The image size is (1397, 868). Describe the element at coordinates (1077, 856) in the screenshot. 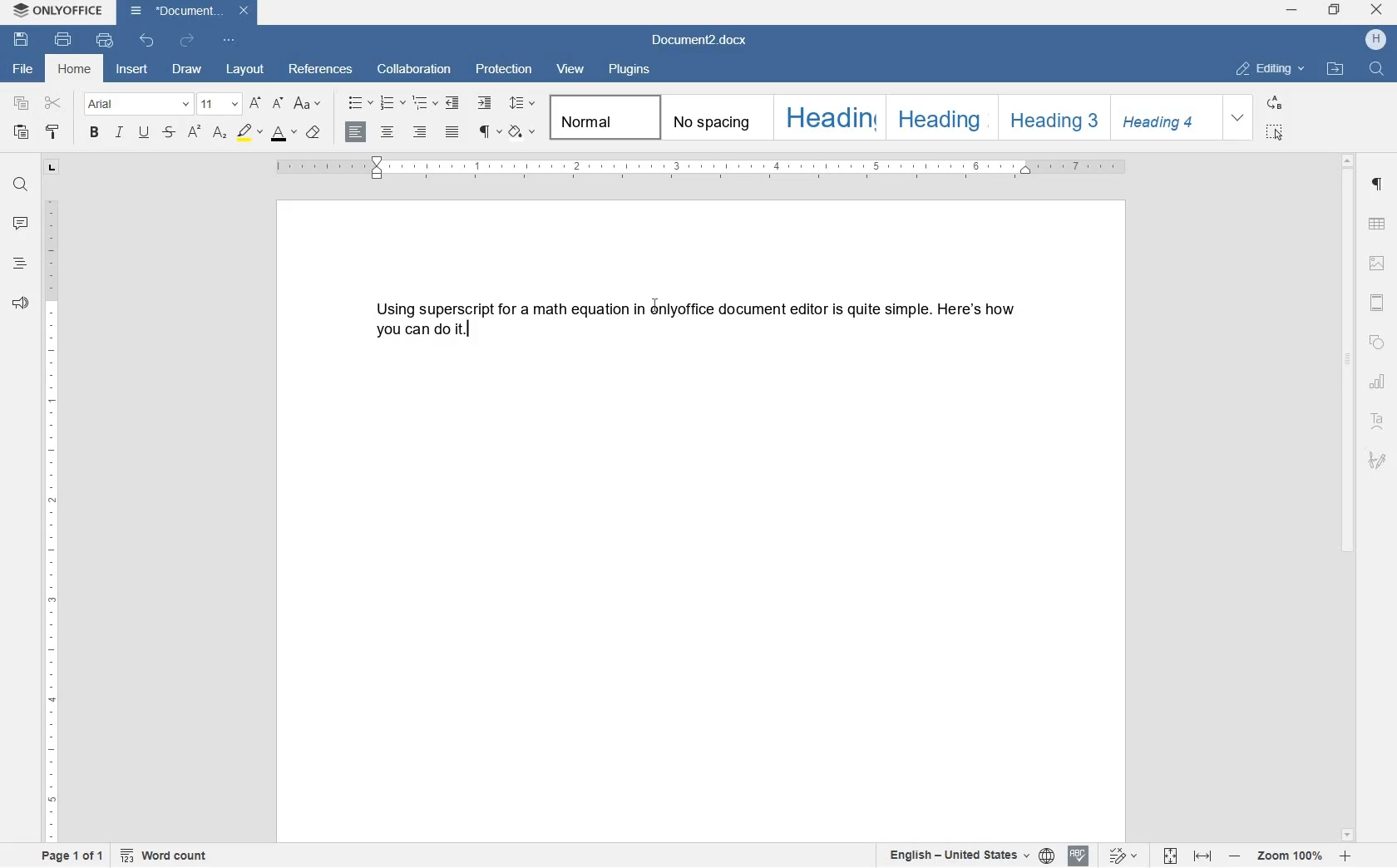

I see `spell check` at that location.